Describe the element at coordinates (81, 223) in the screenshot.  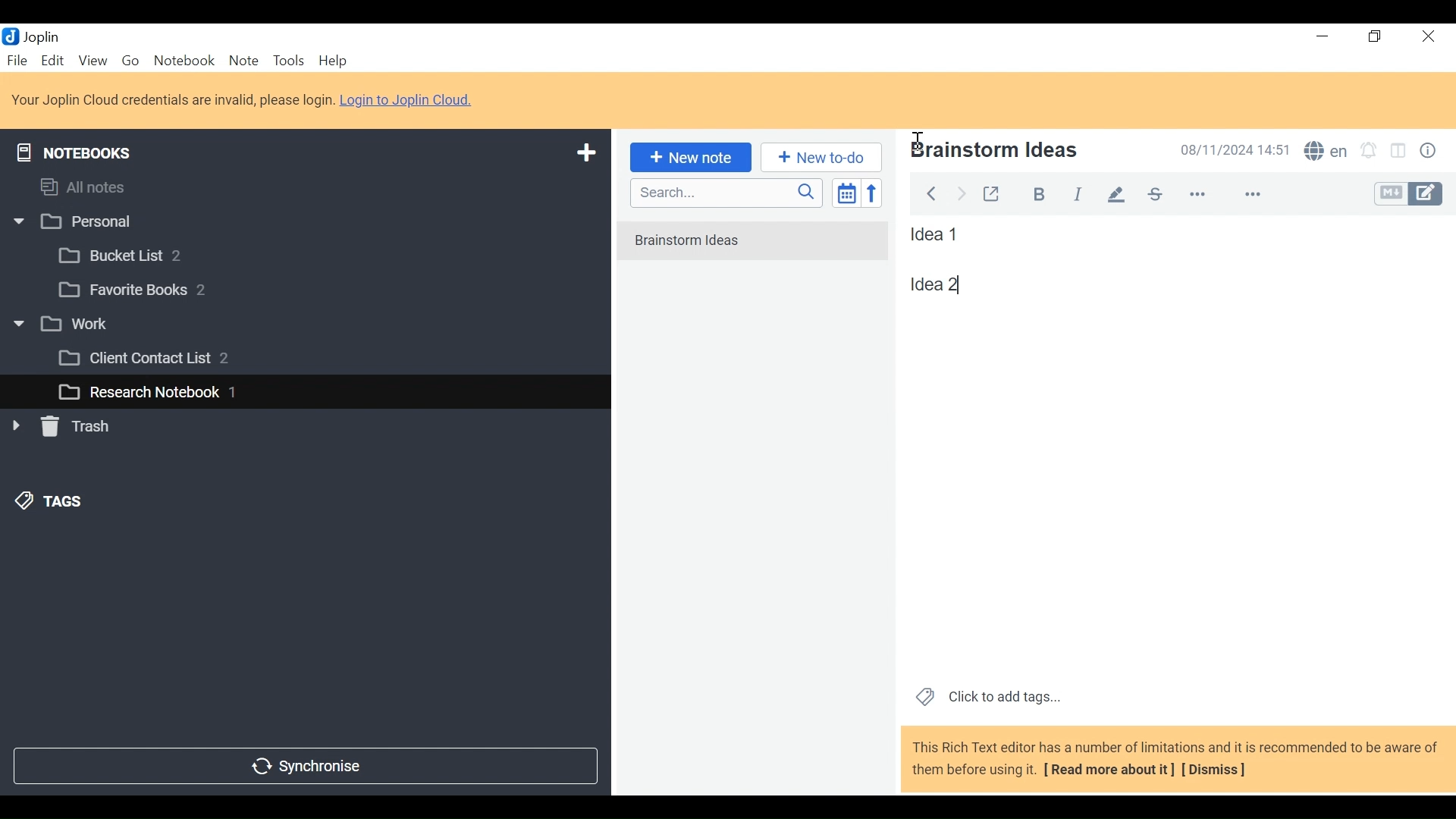
I see `w |] Personal` at that location.